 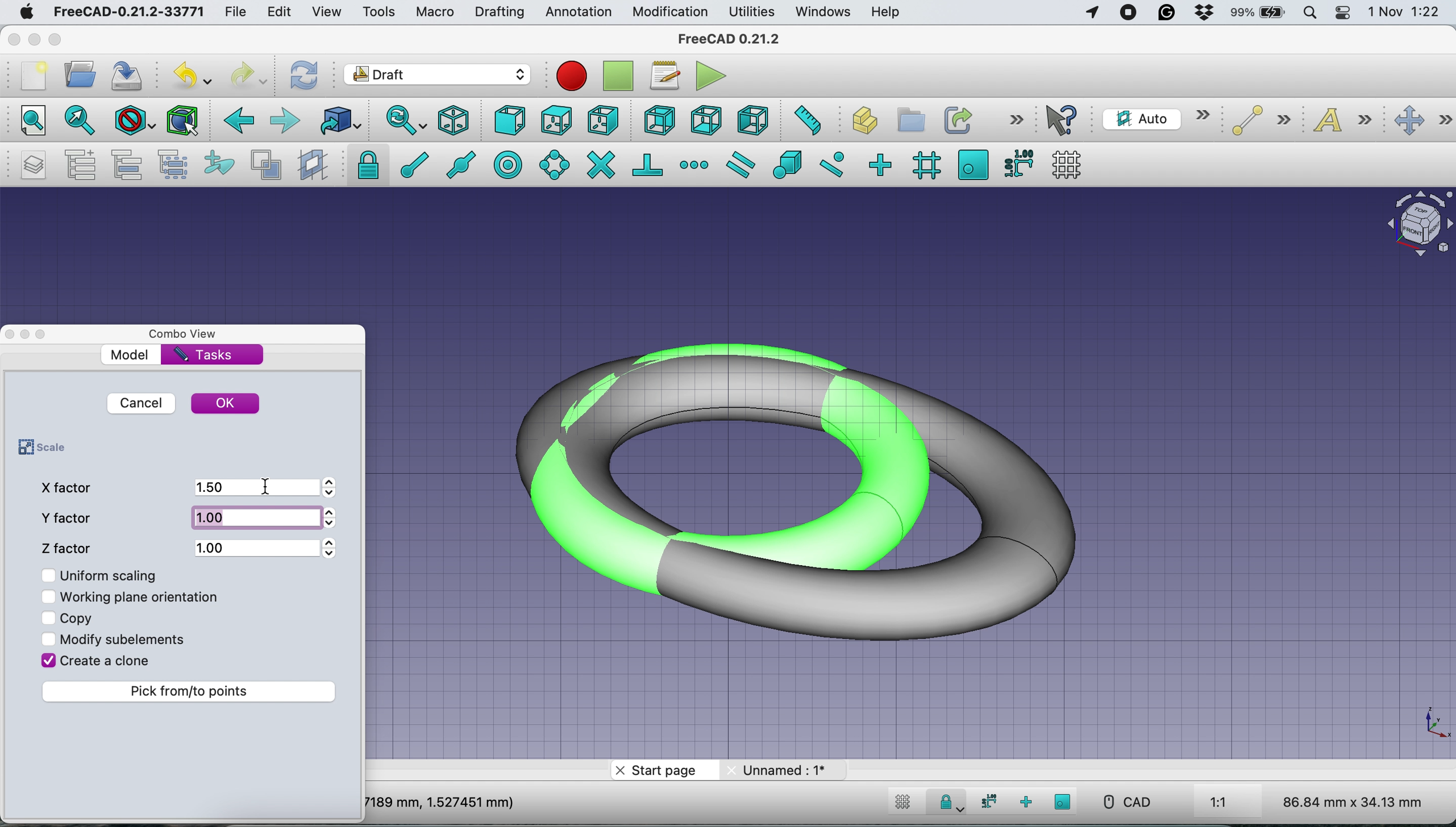 What do you see at coordinates (555, 119) in the screenshot?
I see `top` at bounding box center [555, 119].